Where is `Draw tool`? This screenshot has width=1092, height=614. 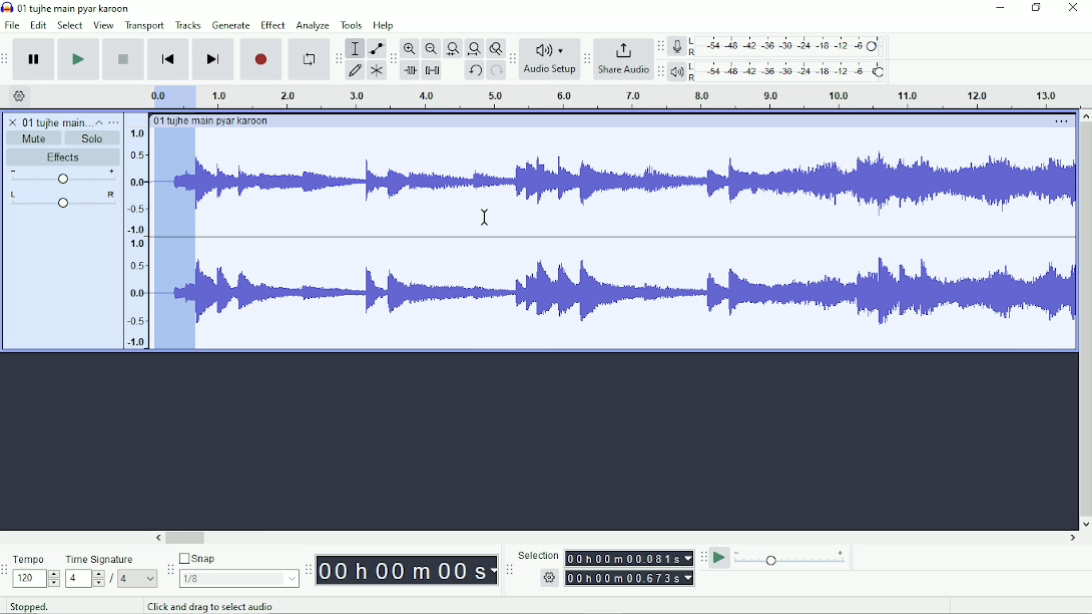 Draw tool is located at coordinates (356, 71).